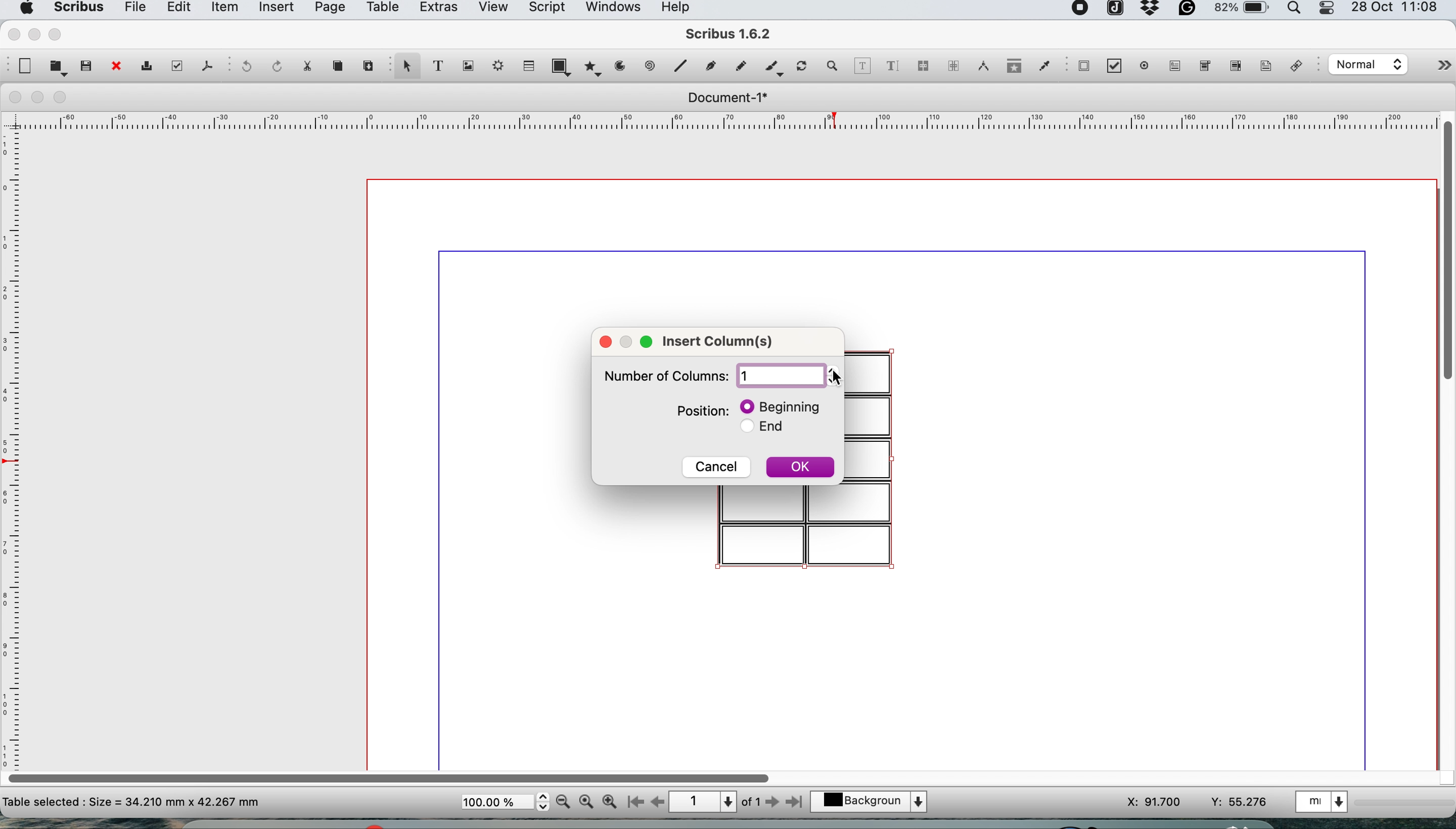  I want to click on unlink text frames, so click(953, 69).